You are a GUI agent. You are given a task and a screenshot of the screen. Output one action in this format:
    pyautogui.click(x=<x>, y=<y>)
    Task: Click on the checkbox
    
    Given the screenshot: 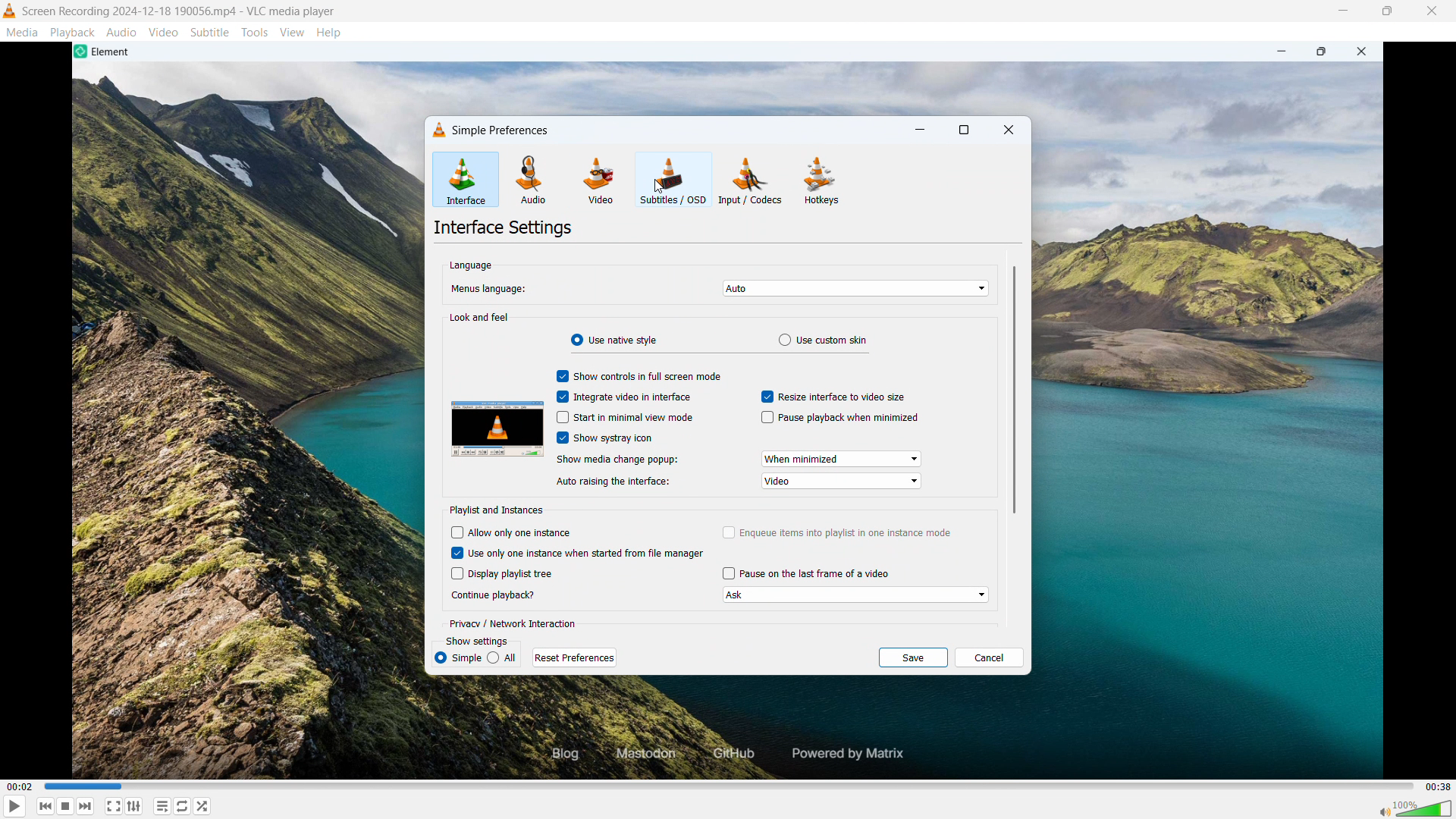 What is the action you would take?
    pyautogui.click(x=454, y=532)
    